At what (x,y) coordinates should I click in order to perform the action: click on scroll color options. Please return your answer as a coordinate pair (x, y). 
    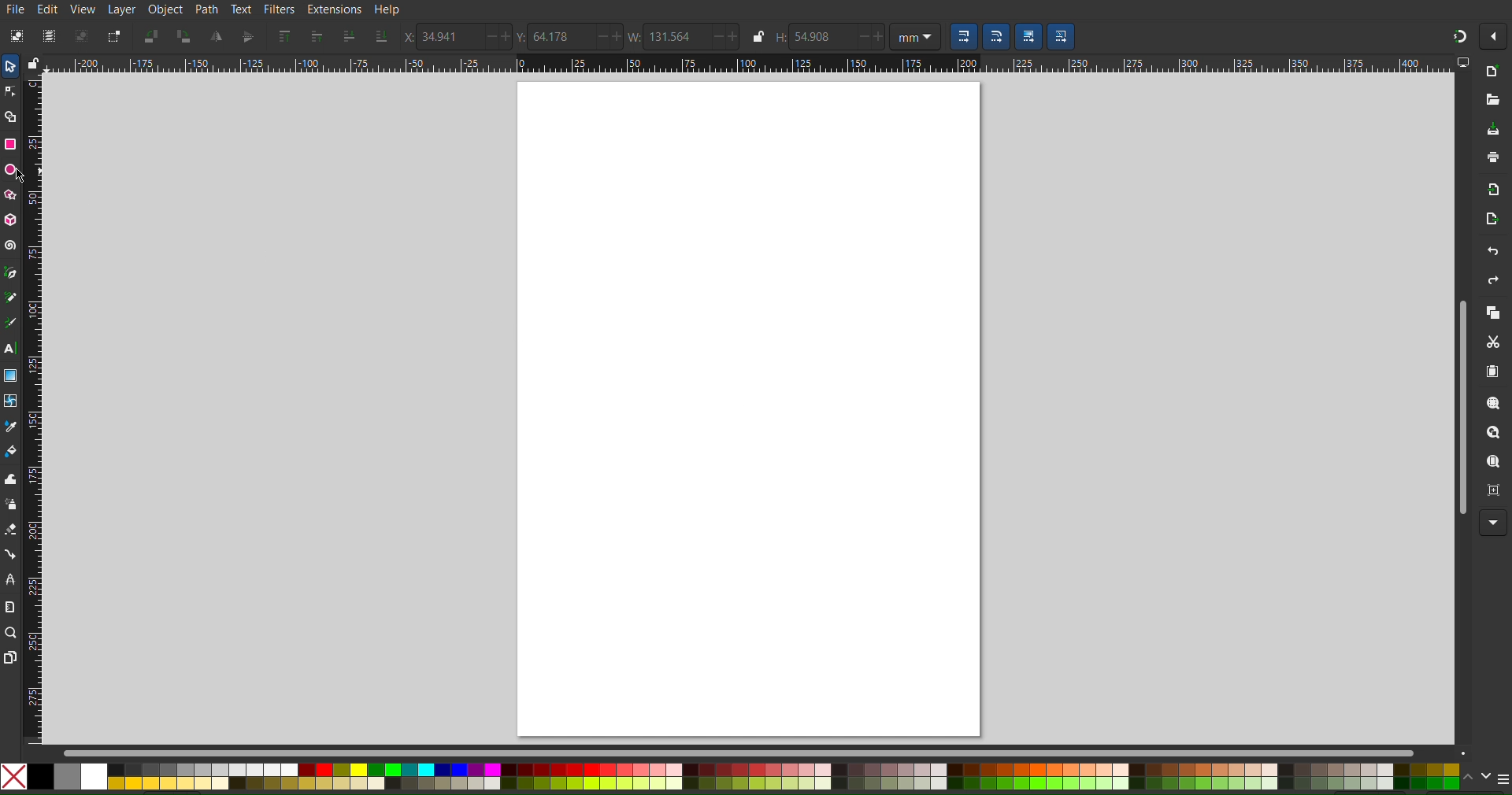
    Looking at the image, I should click on (1477, 781).